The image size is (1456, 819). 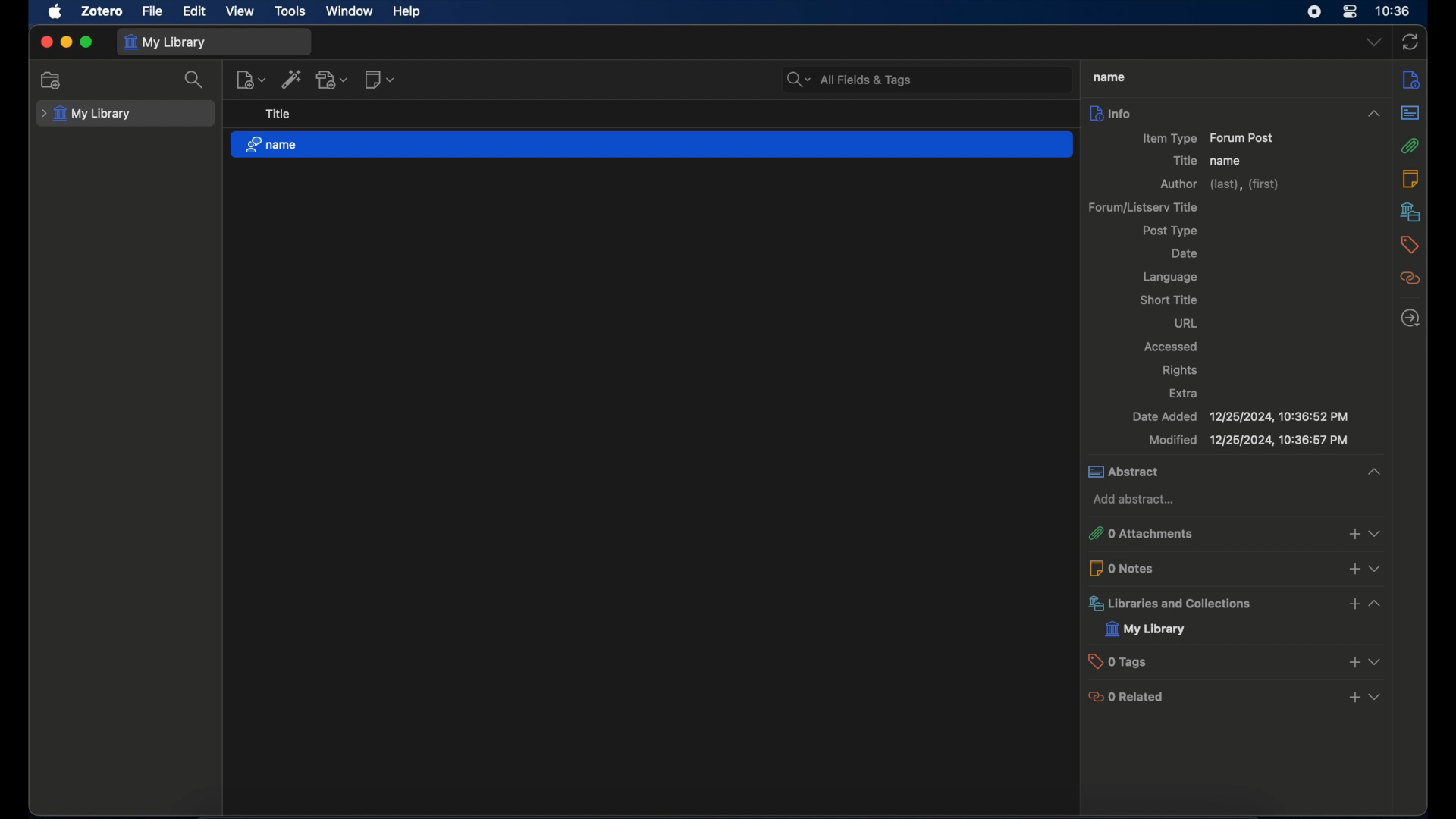 I want to click on related, so click(x=1410, y=279).